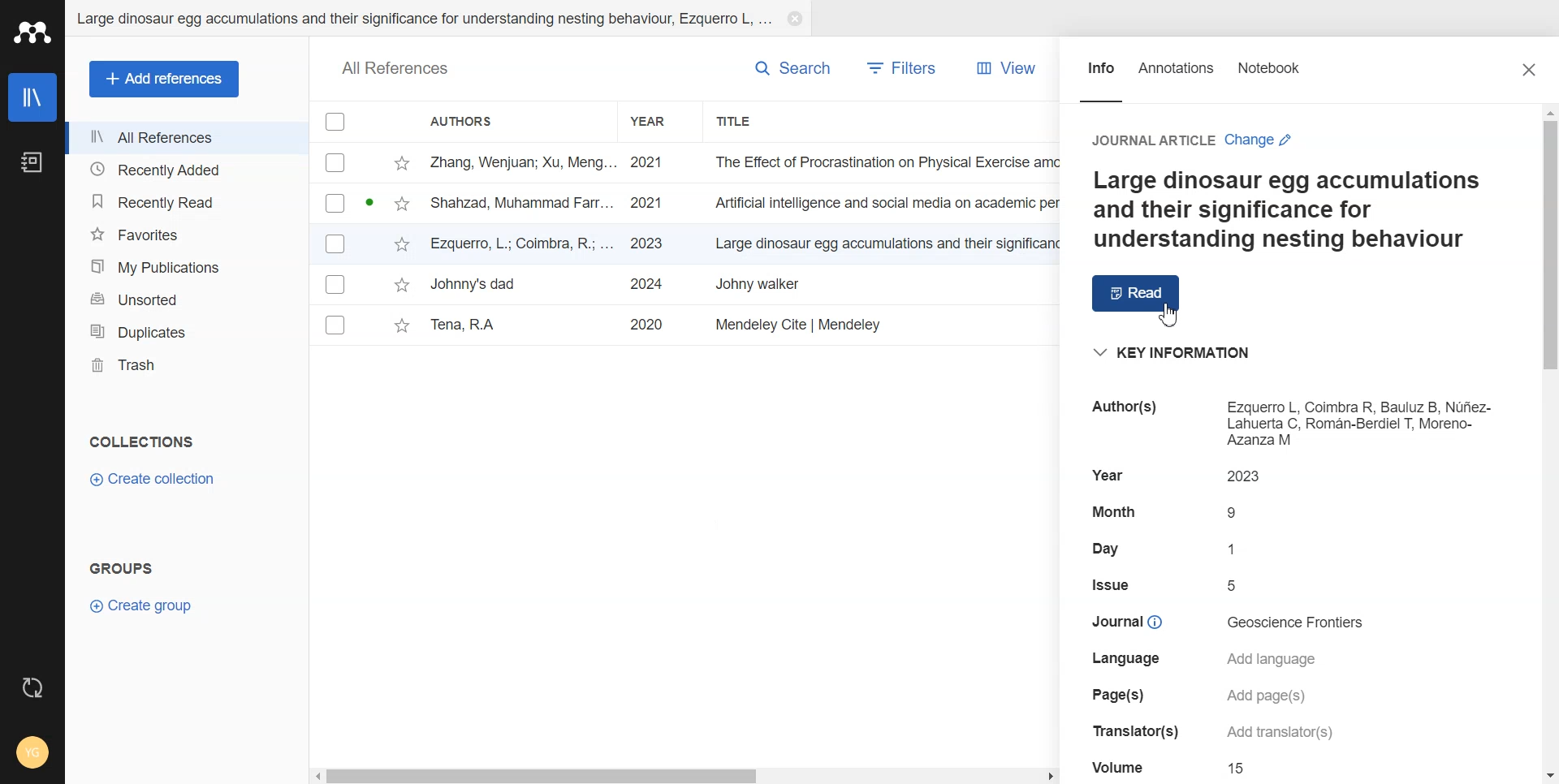 The width and height of the screenshot is (1559, 784). Describe the element at coordinates (1362, 423) in the screenshot. I see `text` at that location.